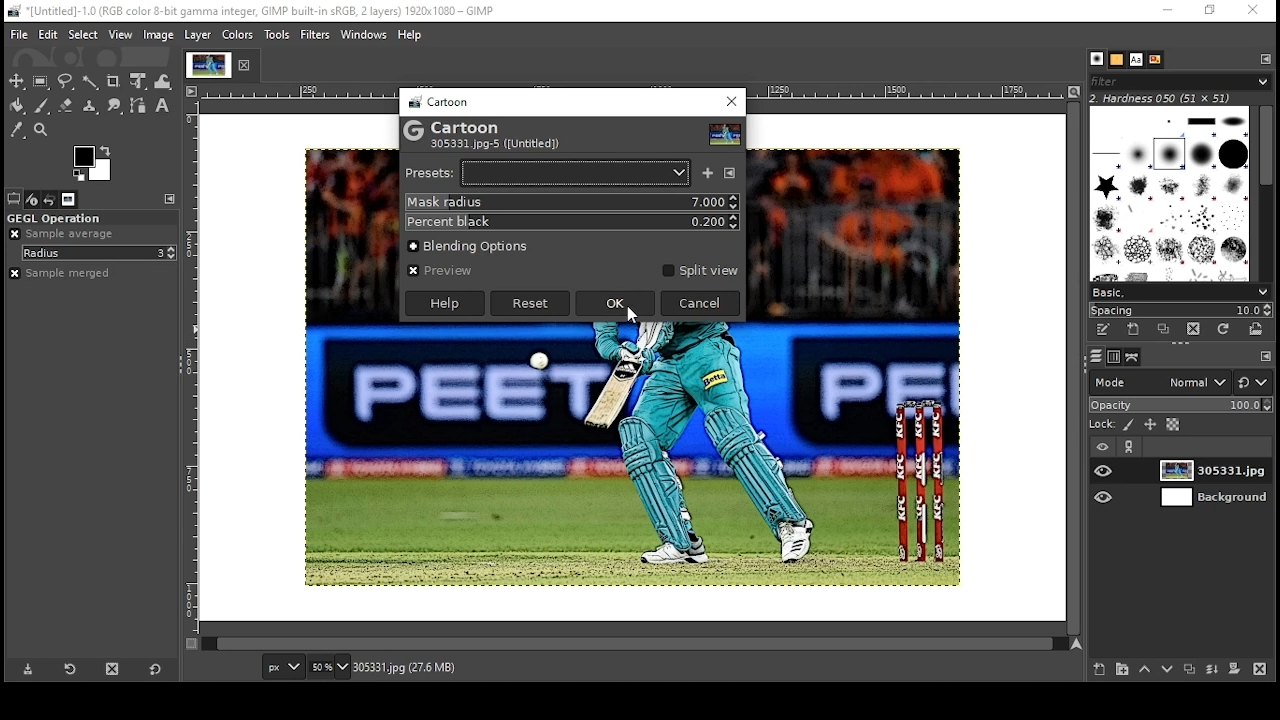 The height and width of the screenshot is (720, 1280). Describe the element at coordinates (1168, 670) in the screenshot. I see `move layer one step down` at that location.